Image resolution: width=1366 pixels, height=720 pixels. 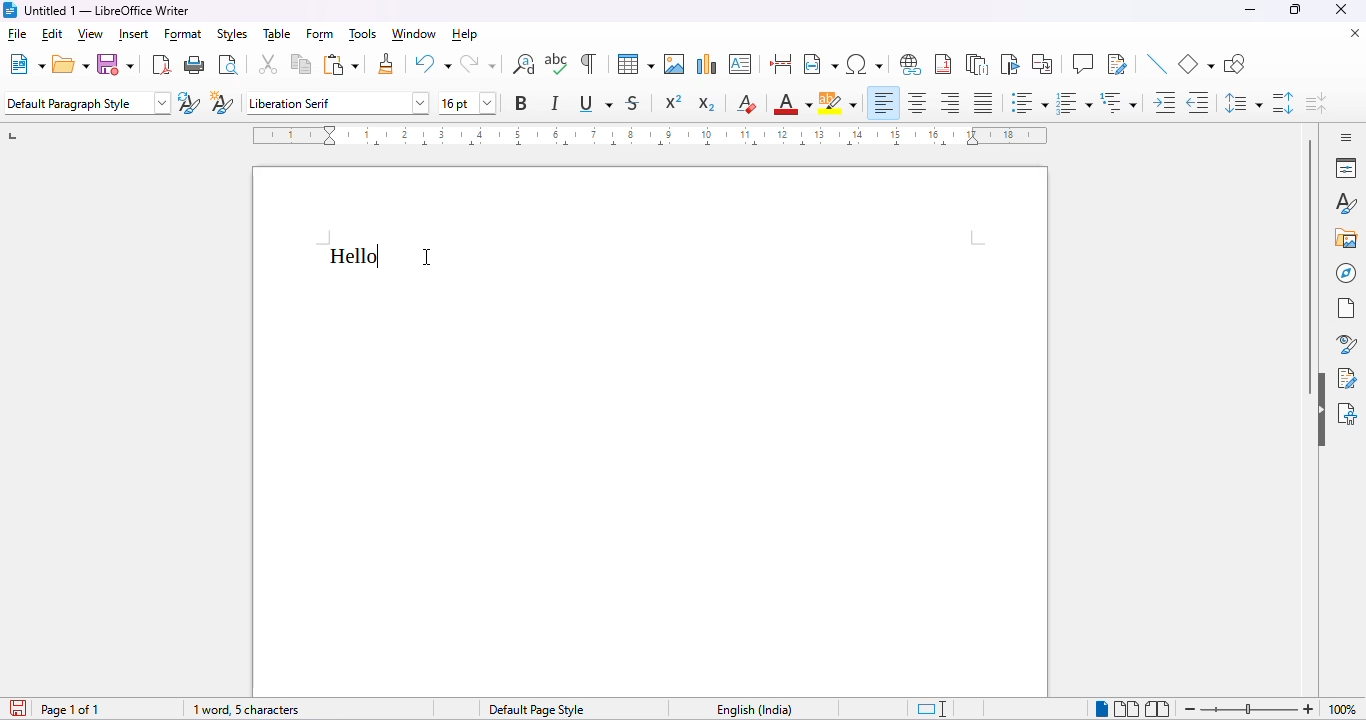 What do you see at coordinates (301, 64) in the screenshot?
I see `copy` at bounding box center [301, 64].